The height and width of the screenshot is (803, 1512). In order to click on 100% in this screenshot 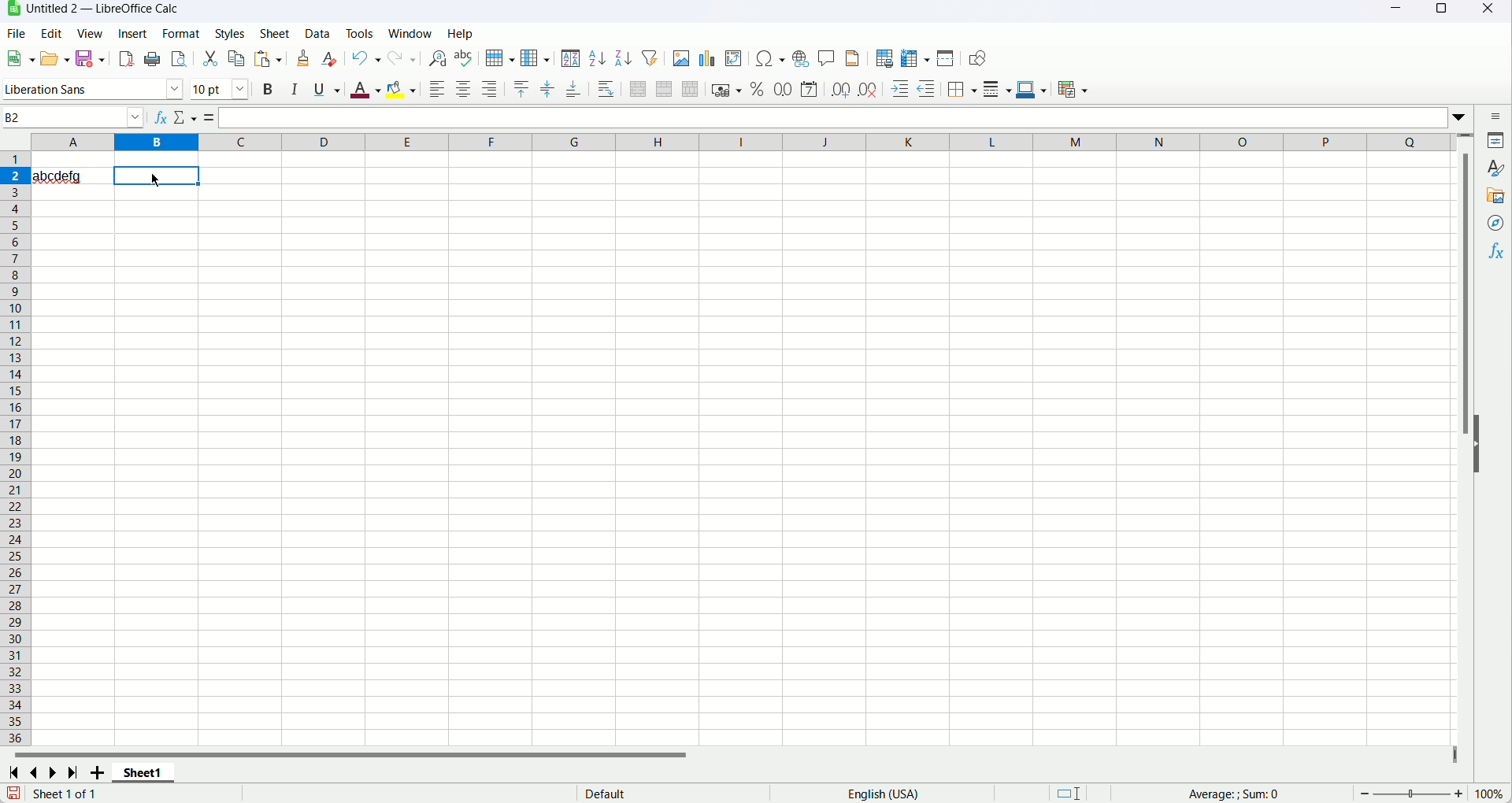, I will do `click(1488, 794)`.